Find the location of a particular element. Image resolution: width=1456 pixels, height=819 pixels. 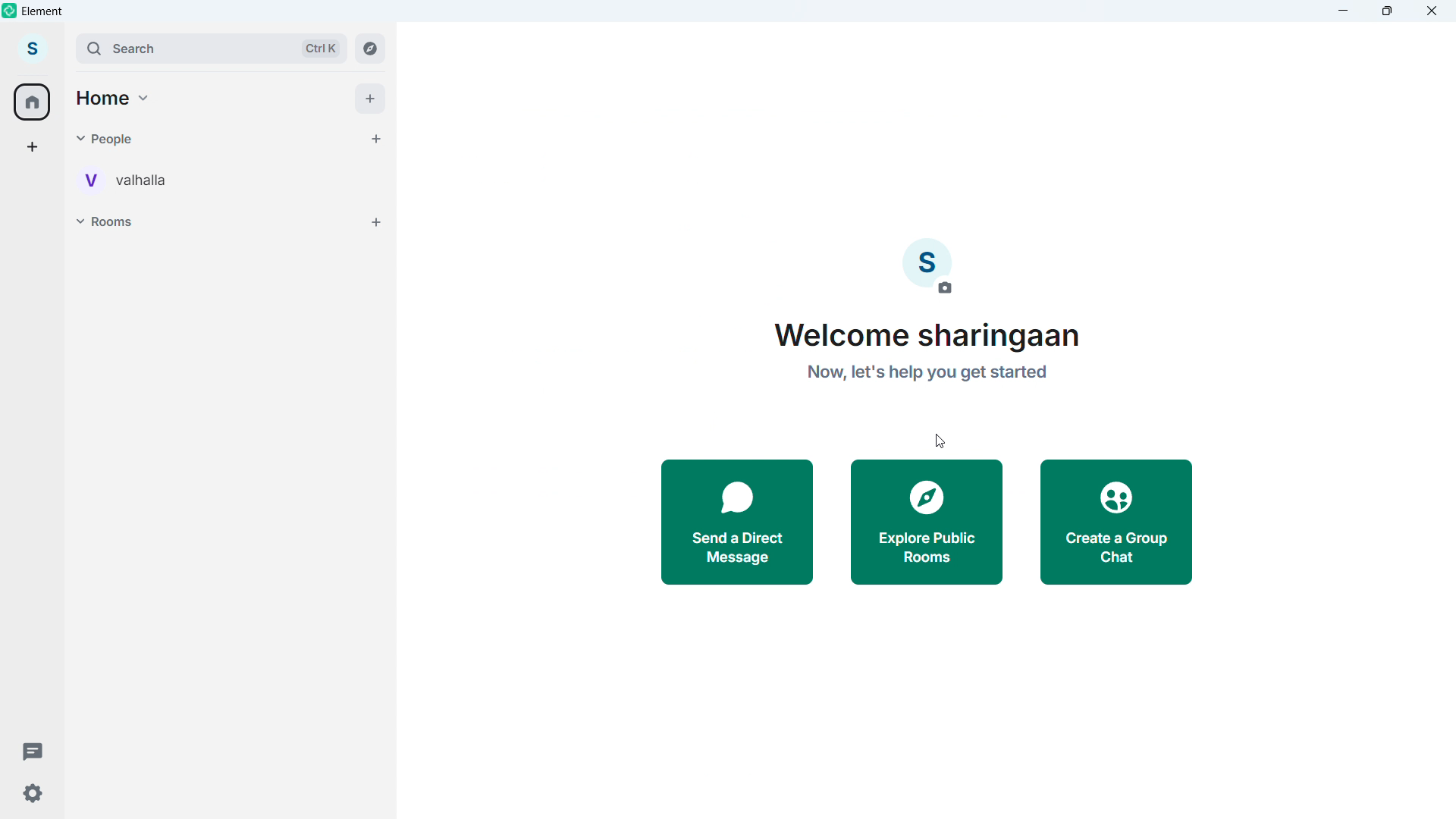

Personal room  is located at coordinates (130, 178).